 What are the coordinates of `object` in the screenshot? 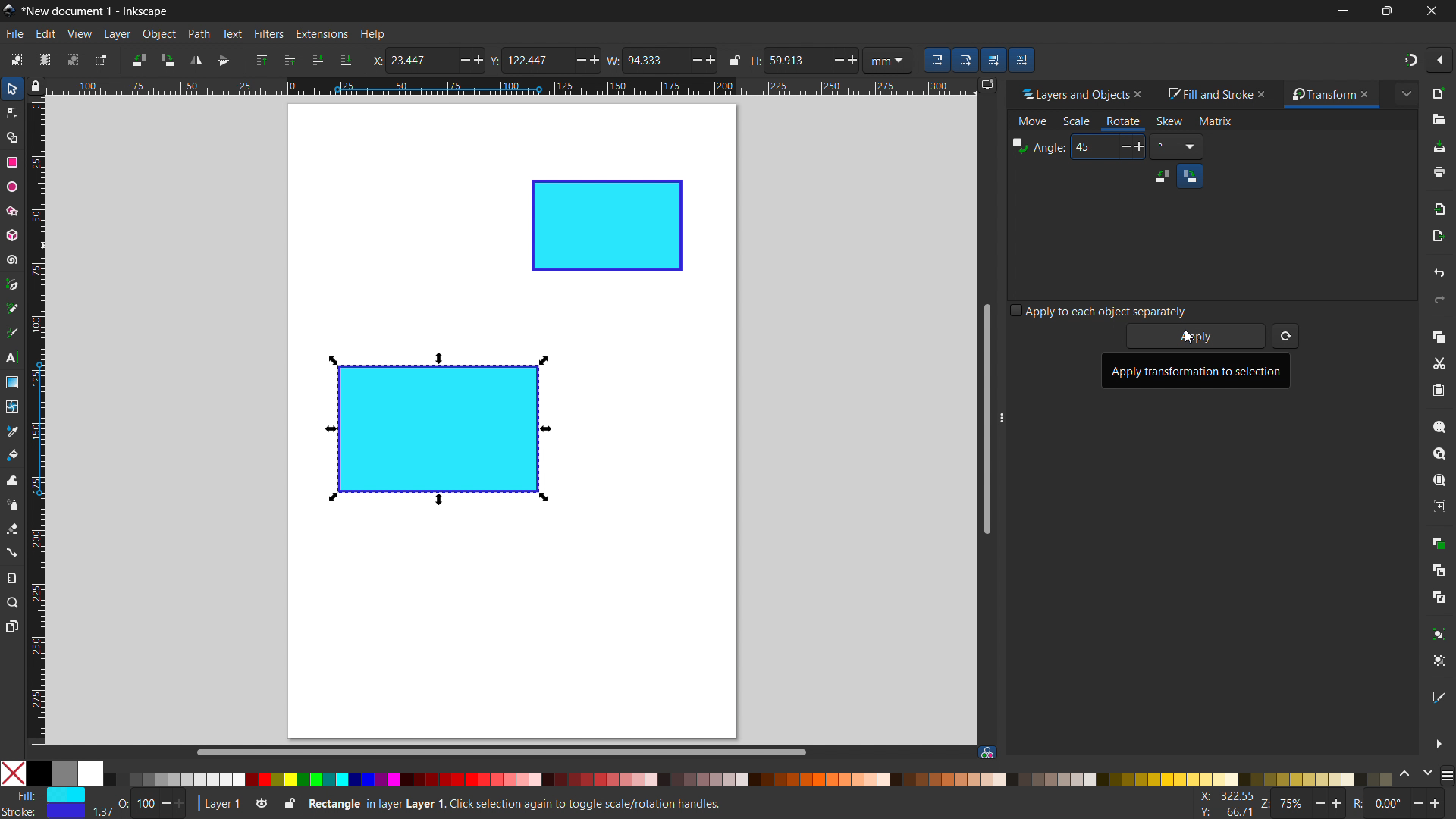 It's located at (159, 34).